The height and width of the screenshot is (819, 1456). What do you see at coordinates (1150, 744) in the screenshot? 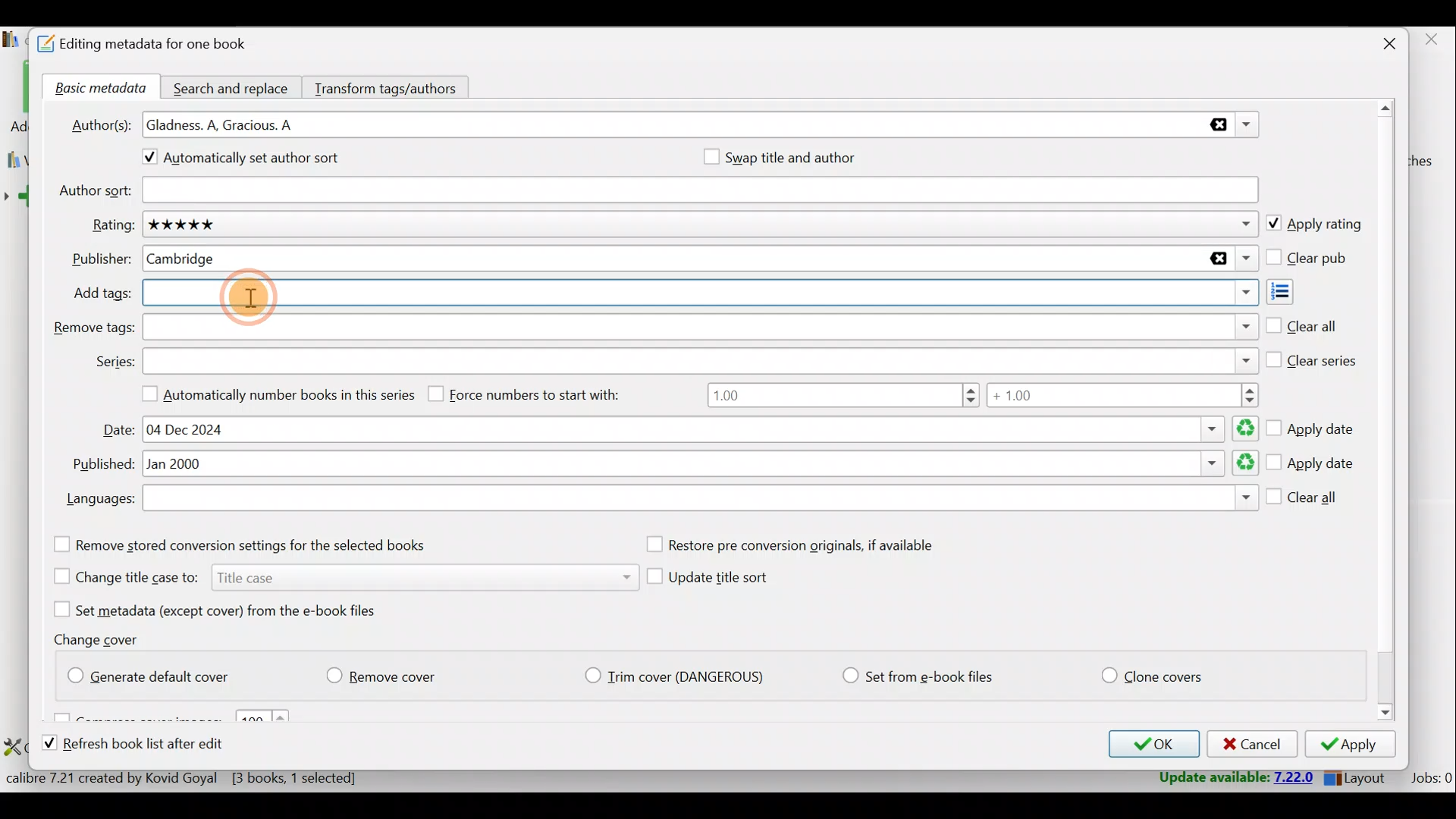
I see `OK` at bounding box center [1150, 744].